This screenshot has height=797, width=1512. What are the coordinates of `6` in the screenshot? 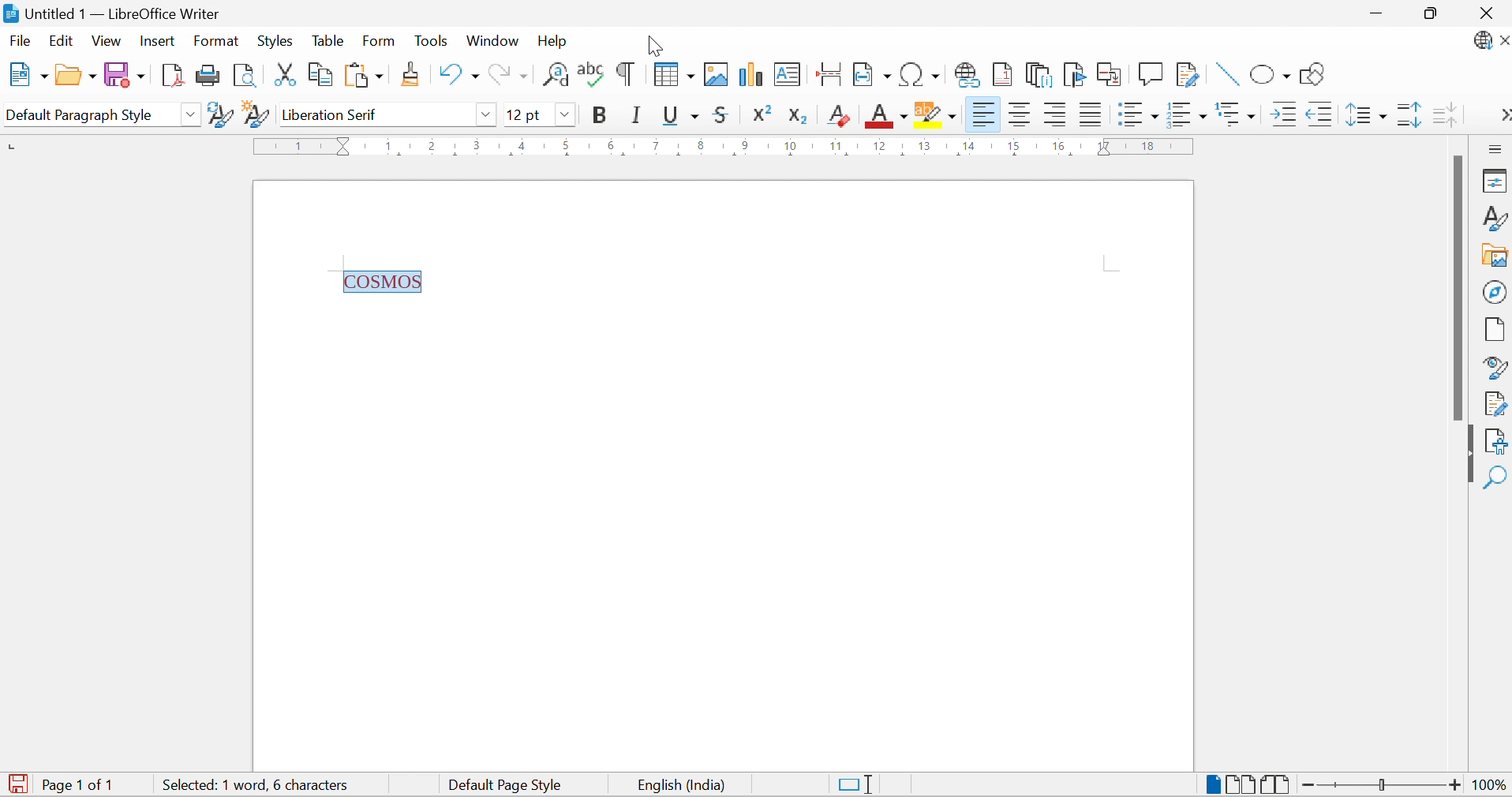 It's located at (609, 144).